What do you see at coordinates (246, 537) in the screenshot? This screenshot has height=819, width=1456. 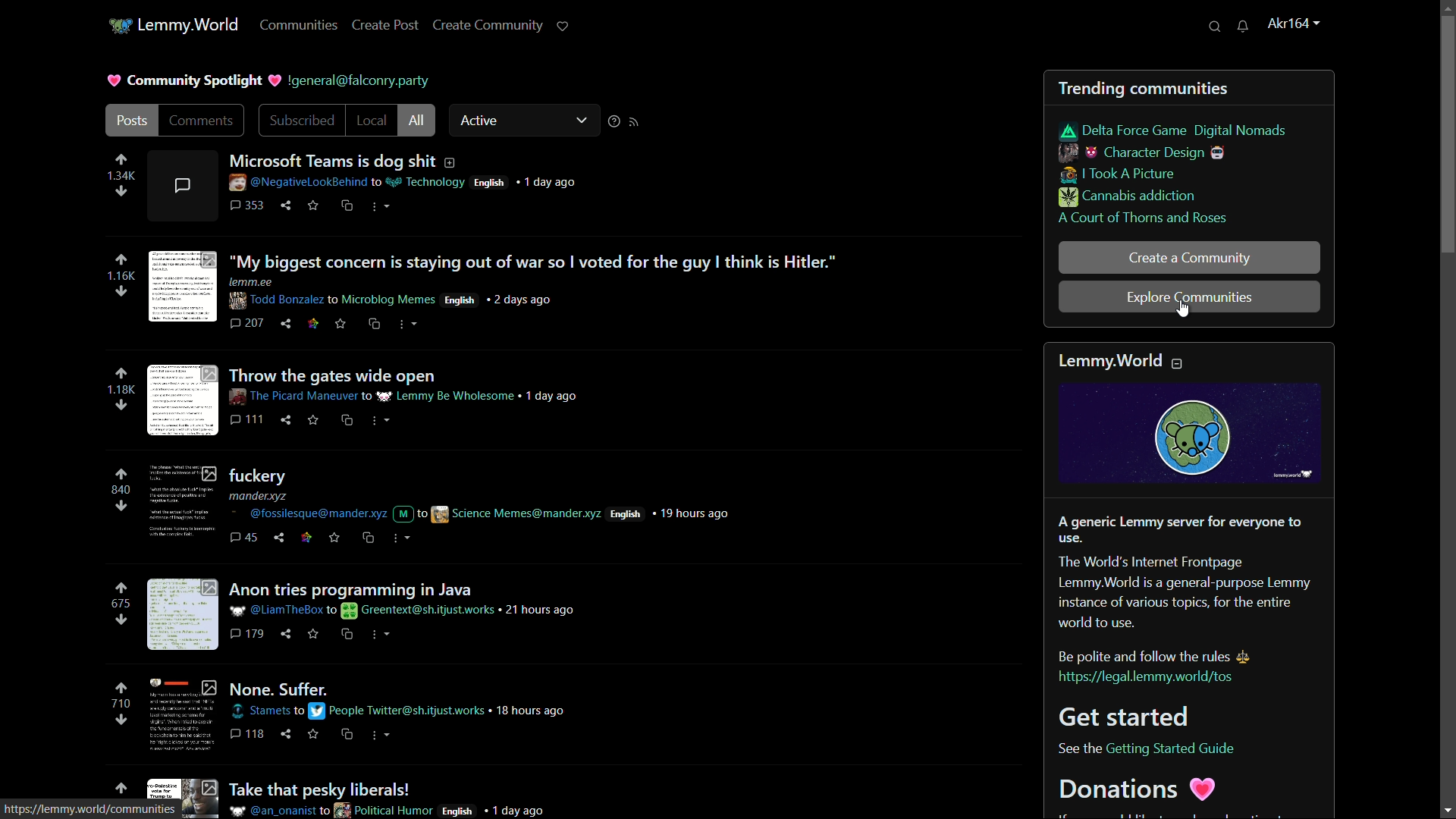 I see `comments` at bounding box center [246, 537].